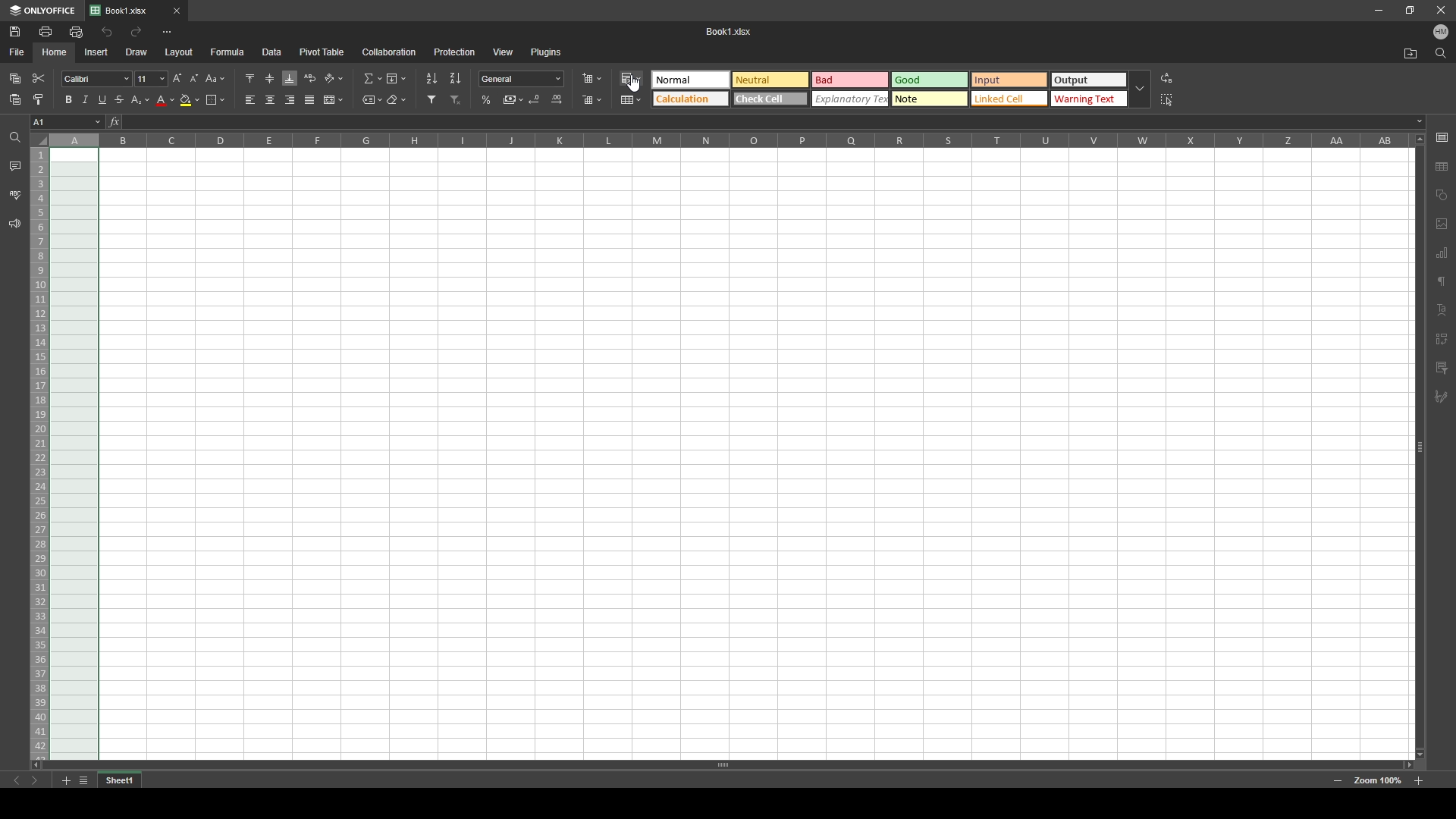 This screenshot has width=1456, height=819. What do you see at coordinates (167, 32) in the screenshot?
I see `more options` at bounding box center [167, 32].